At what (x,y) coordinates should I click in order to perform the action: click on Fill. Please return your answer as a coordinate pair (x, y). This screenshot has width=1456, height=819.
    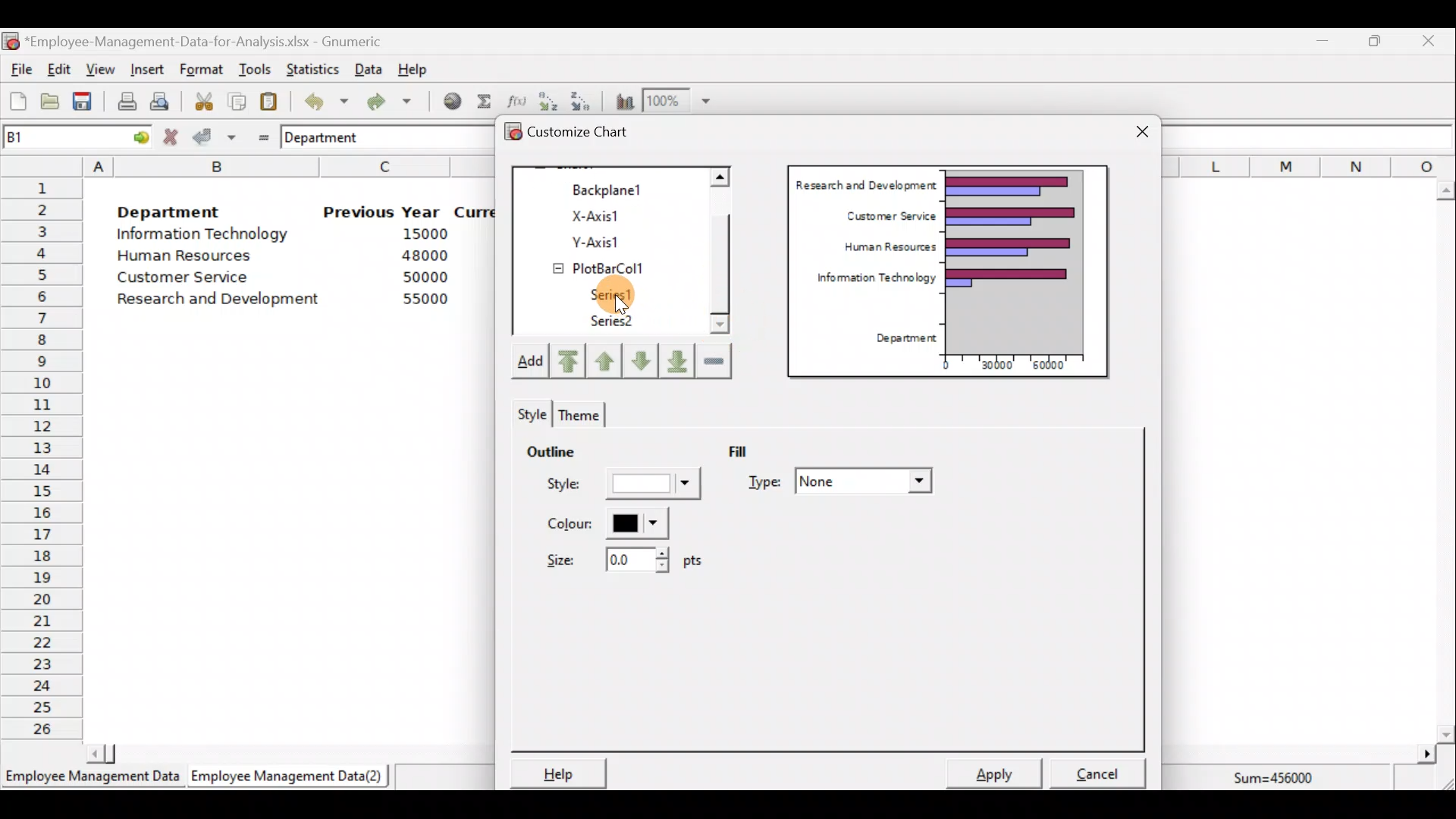
    Looking at the image, I should click on (749, 450).